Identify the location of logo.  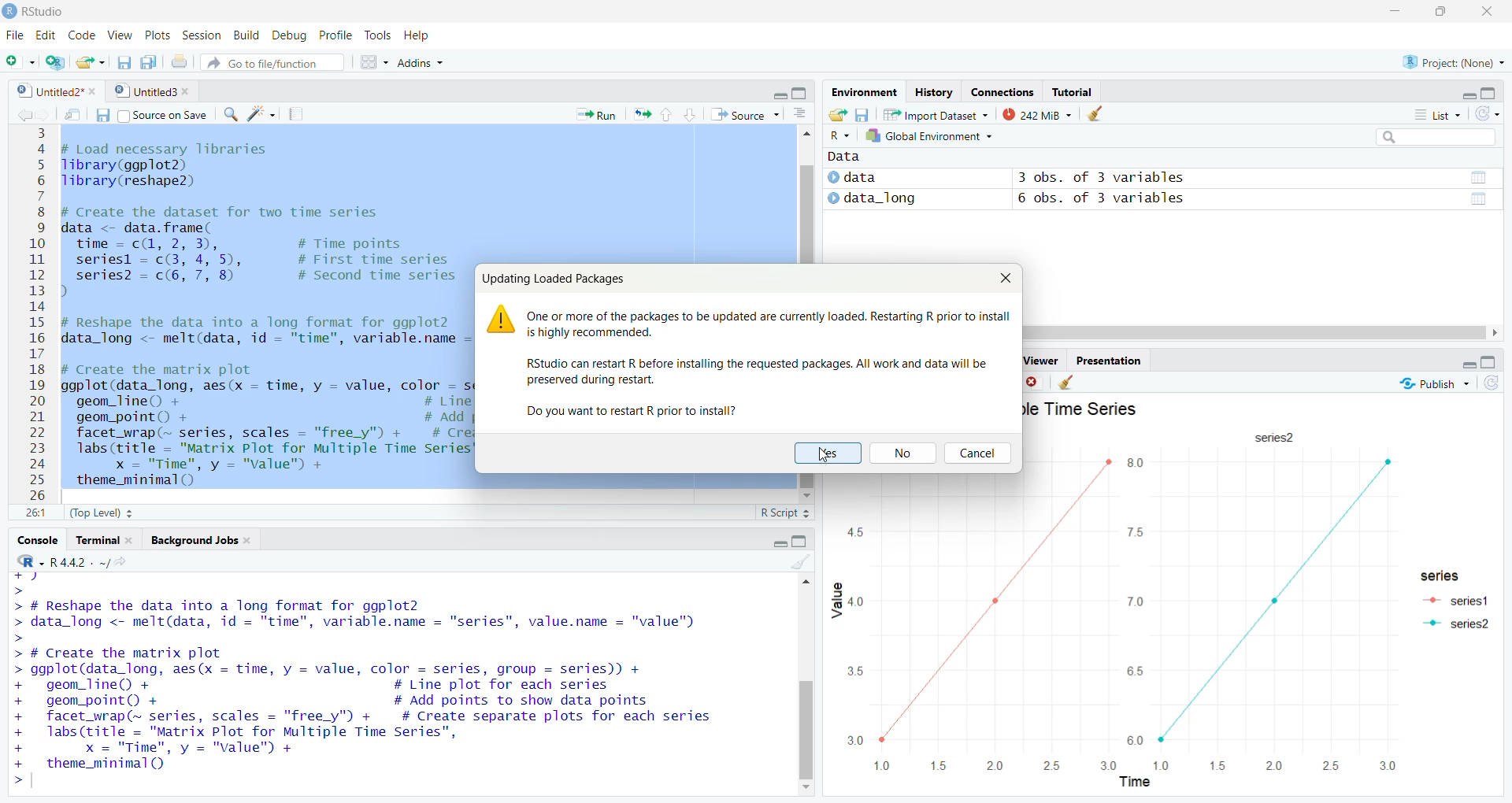
(11, 12).